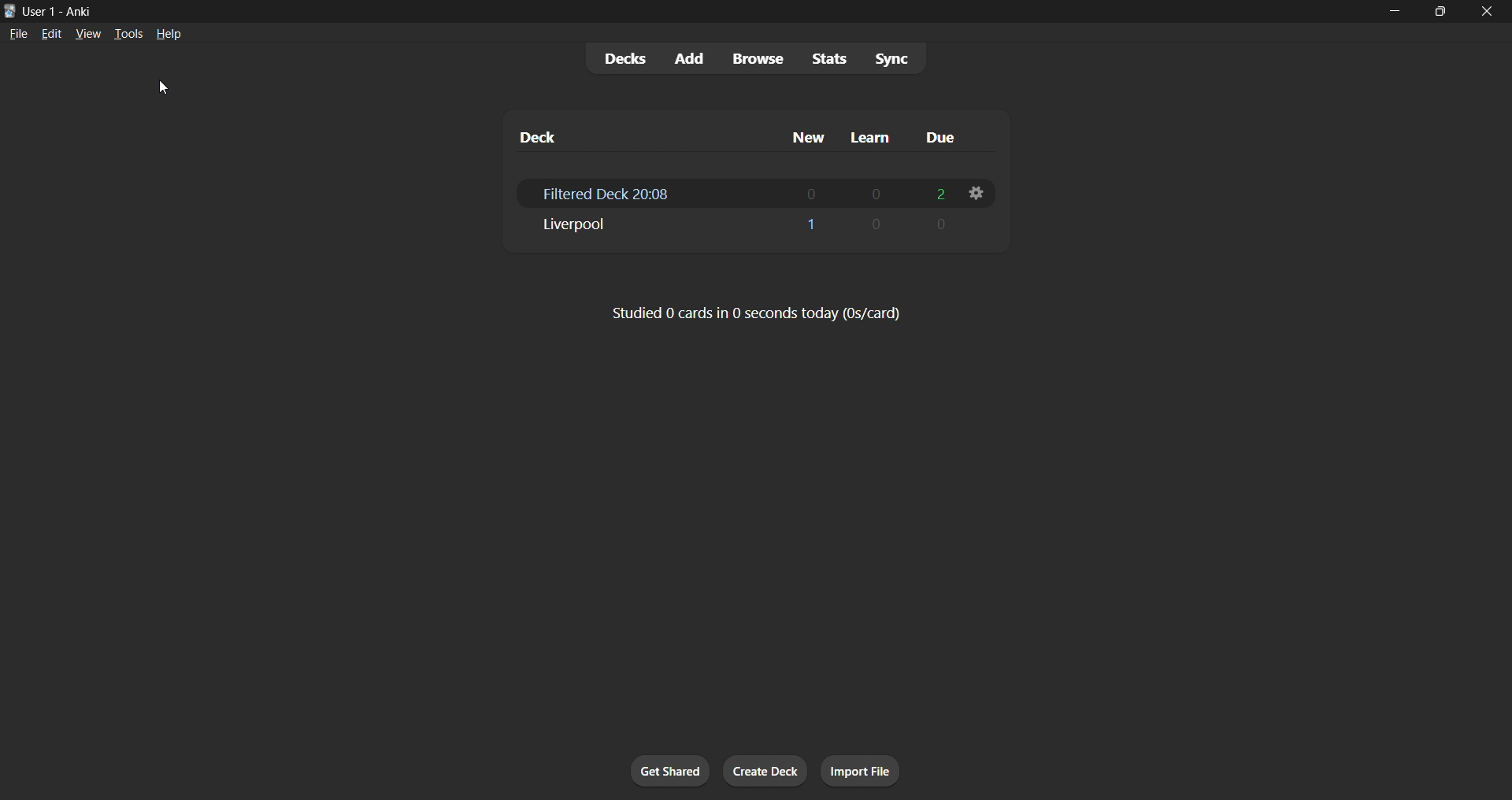 This screenshot has width=1512, height=800. What do you see at coordinates (951, 139) in the screenshot?
I see `due column` at bounding box center [951, 139].